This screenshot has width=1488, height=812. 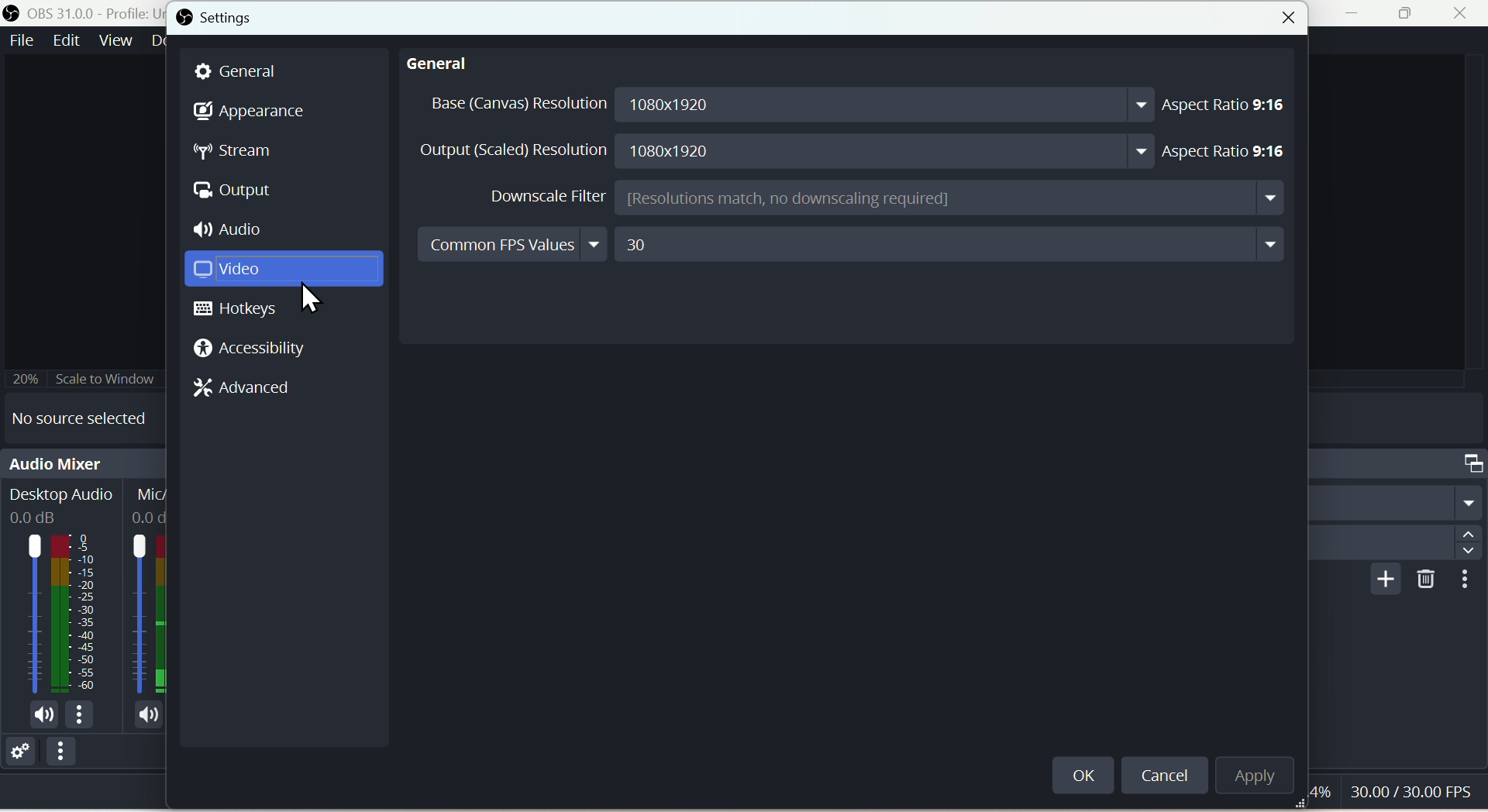 I want to click on cursor, so click(x=311, y=295).